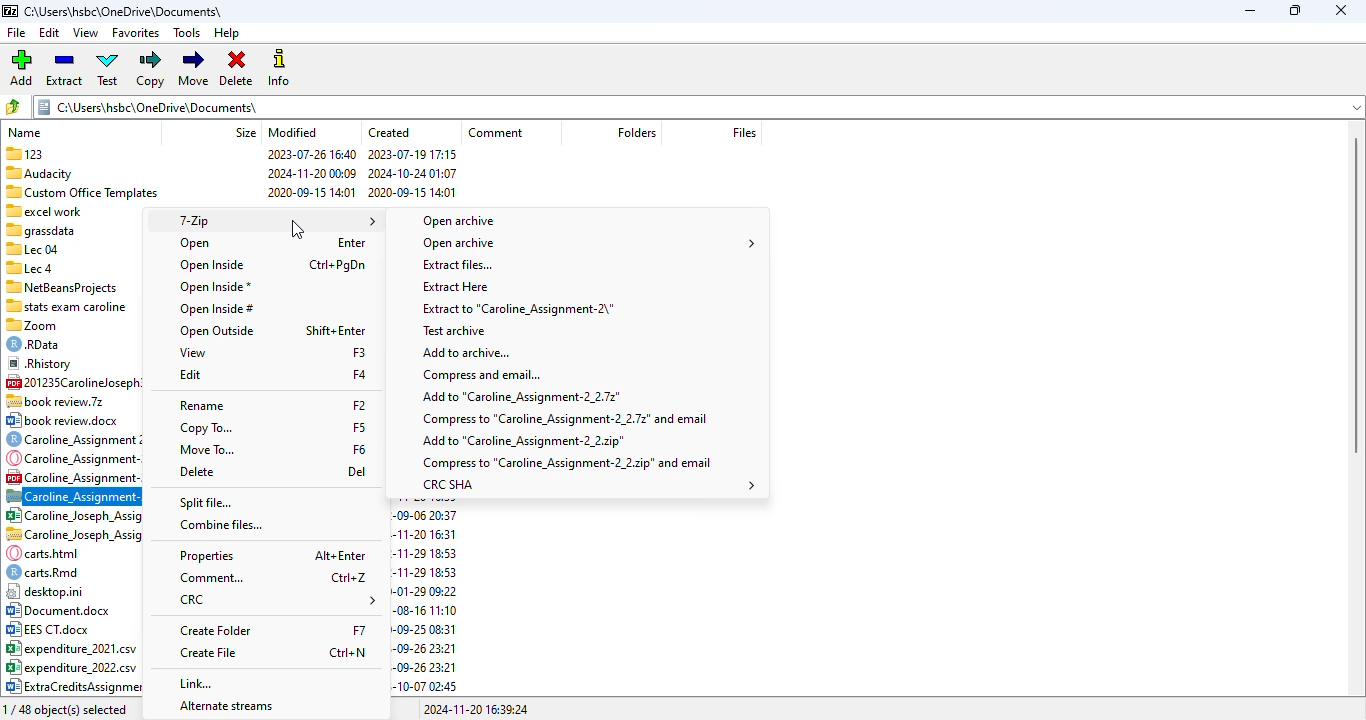  What do you see at coordinates (230, 190) in the screenshot?
I see `‘3 Custom Office Templates 2020-09-15 14:01 2020-09-15 14:01` at bounding box center [230, 190].